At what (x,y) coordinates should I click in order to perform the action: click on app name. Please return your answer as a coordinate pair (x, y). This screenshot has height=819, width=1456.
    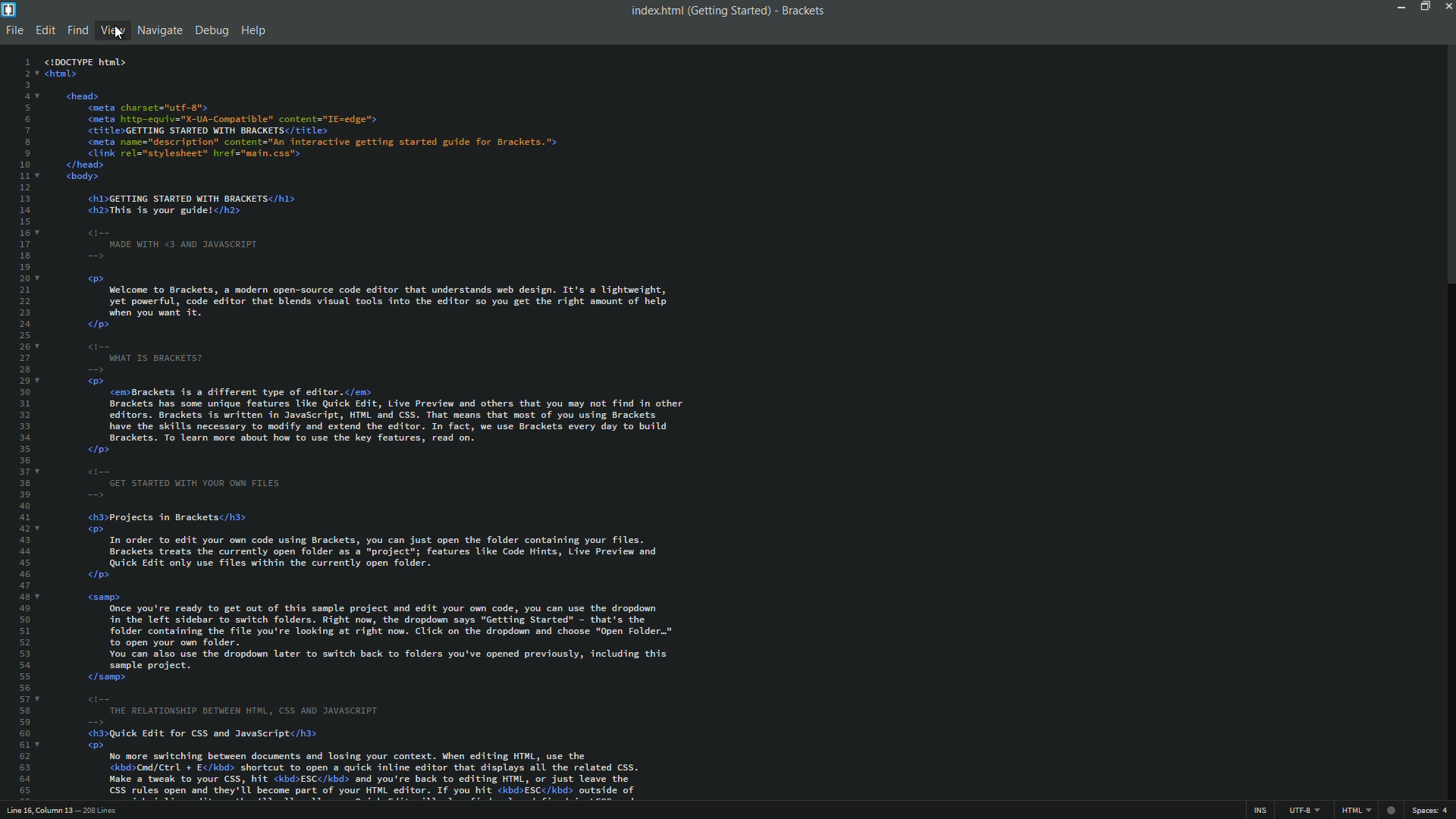
    Looking at the image, I should click on (804, 11).